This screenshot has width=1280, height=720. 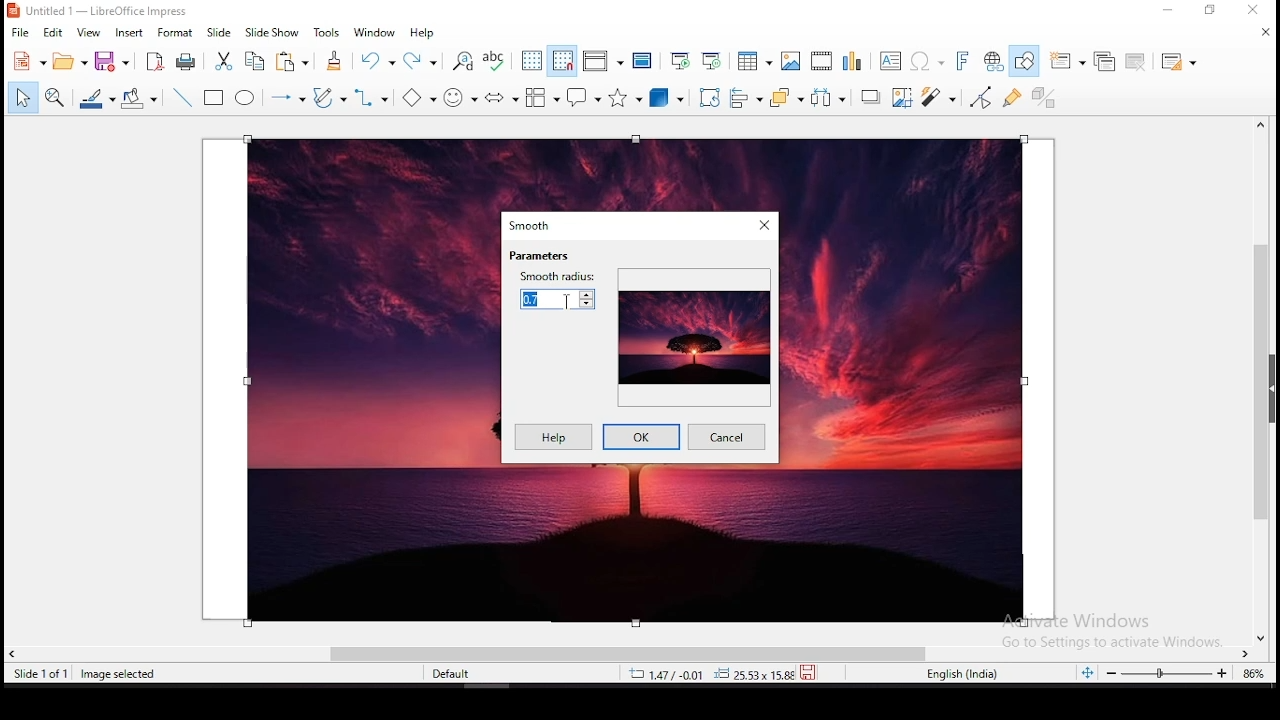 I want to click on show gluepoints functions, so click(x=1010, y=98).